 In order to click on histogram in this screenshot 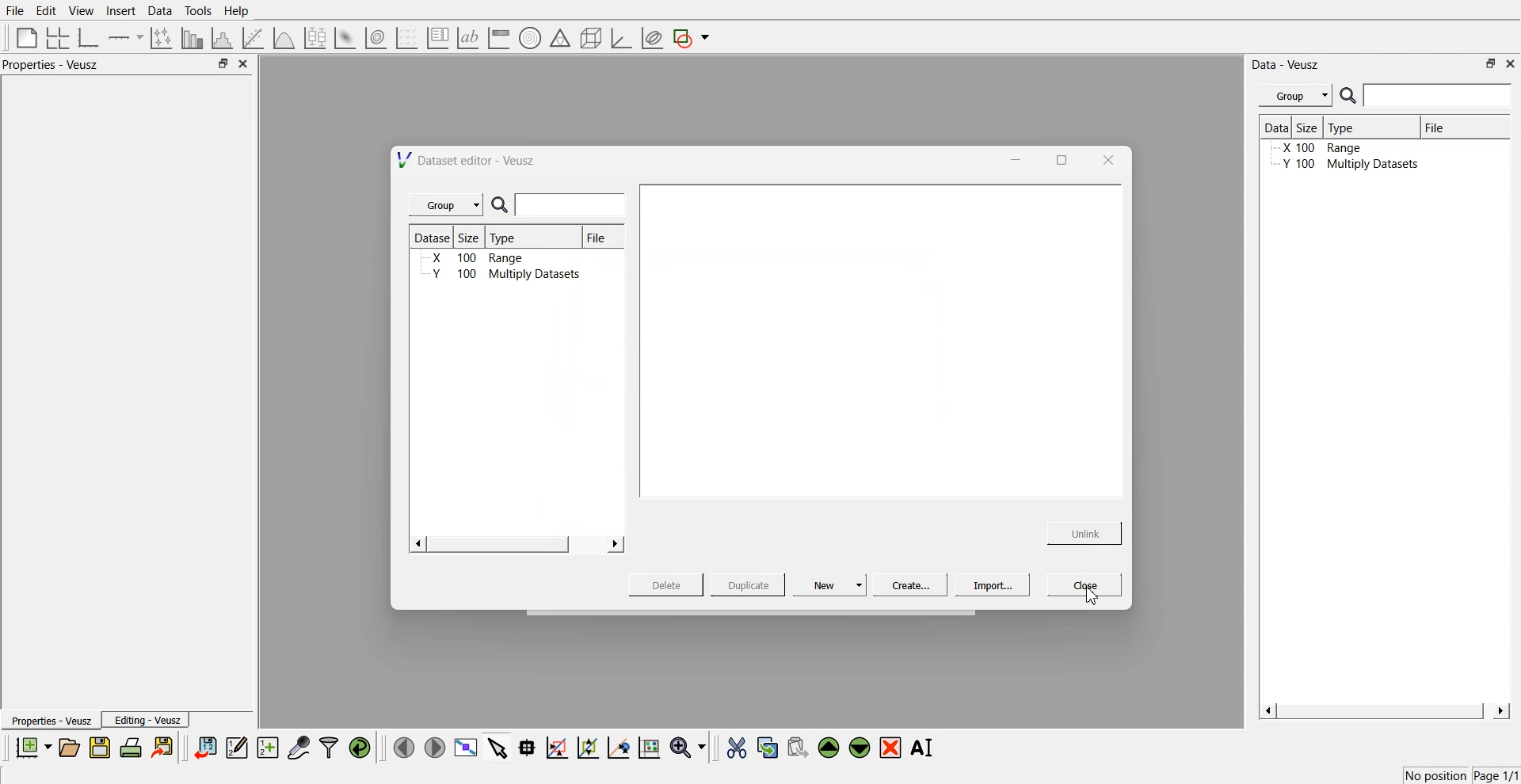, I will do `click(225, 37)`.